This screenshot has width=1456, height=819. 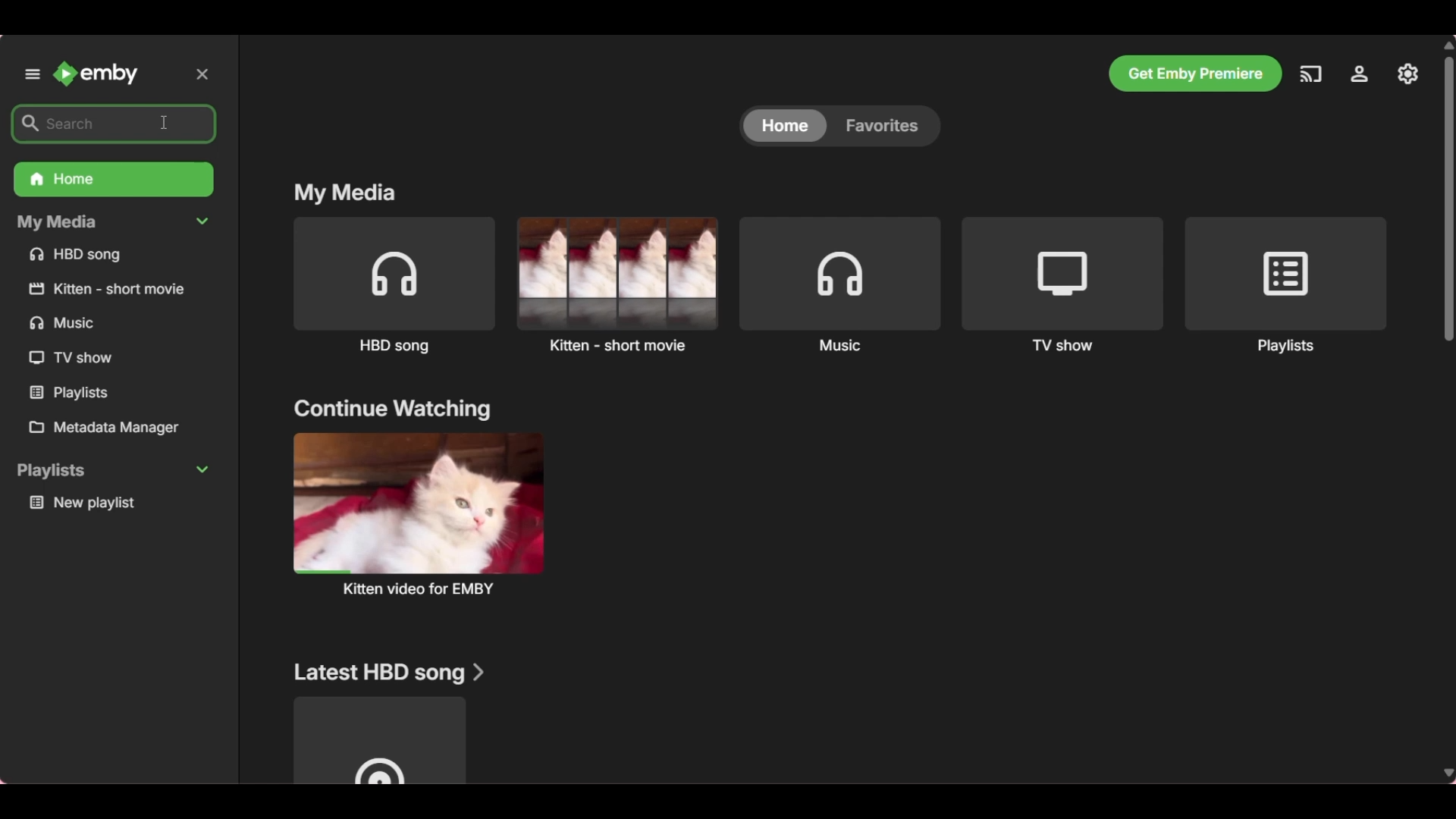 What do you see at coordinates (1310, 78) in the screenshot?
I see `Play on another device` at bounding box center [1310, 78].